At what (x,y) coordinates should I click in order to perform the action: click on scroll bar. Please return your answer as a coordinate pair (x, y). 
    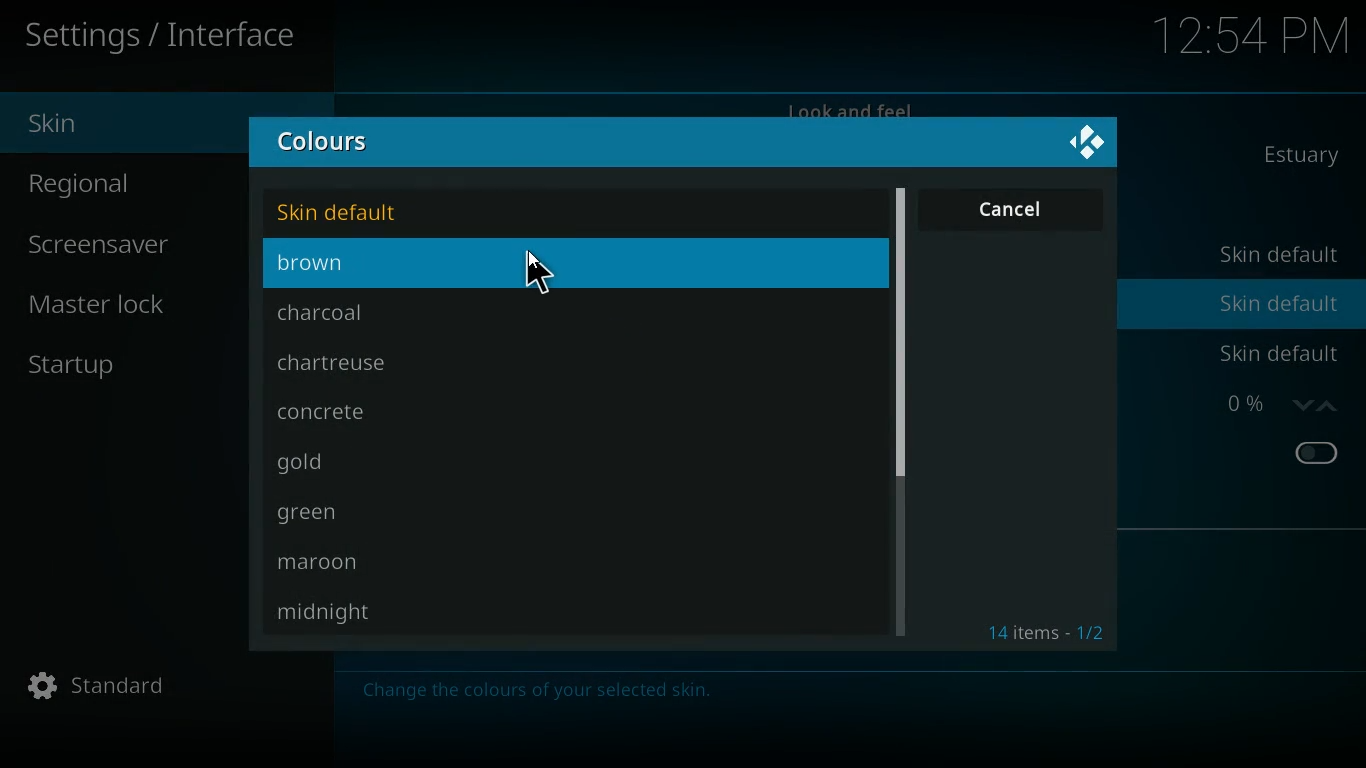
    Looking at the image, I should click on (897, 333).